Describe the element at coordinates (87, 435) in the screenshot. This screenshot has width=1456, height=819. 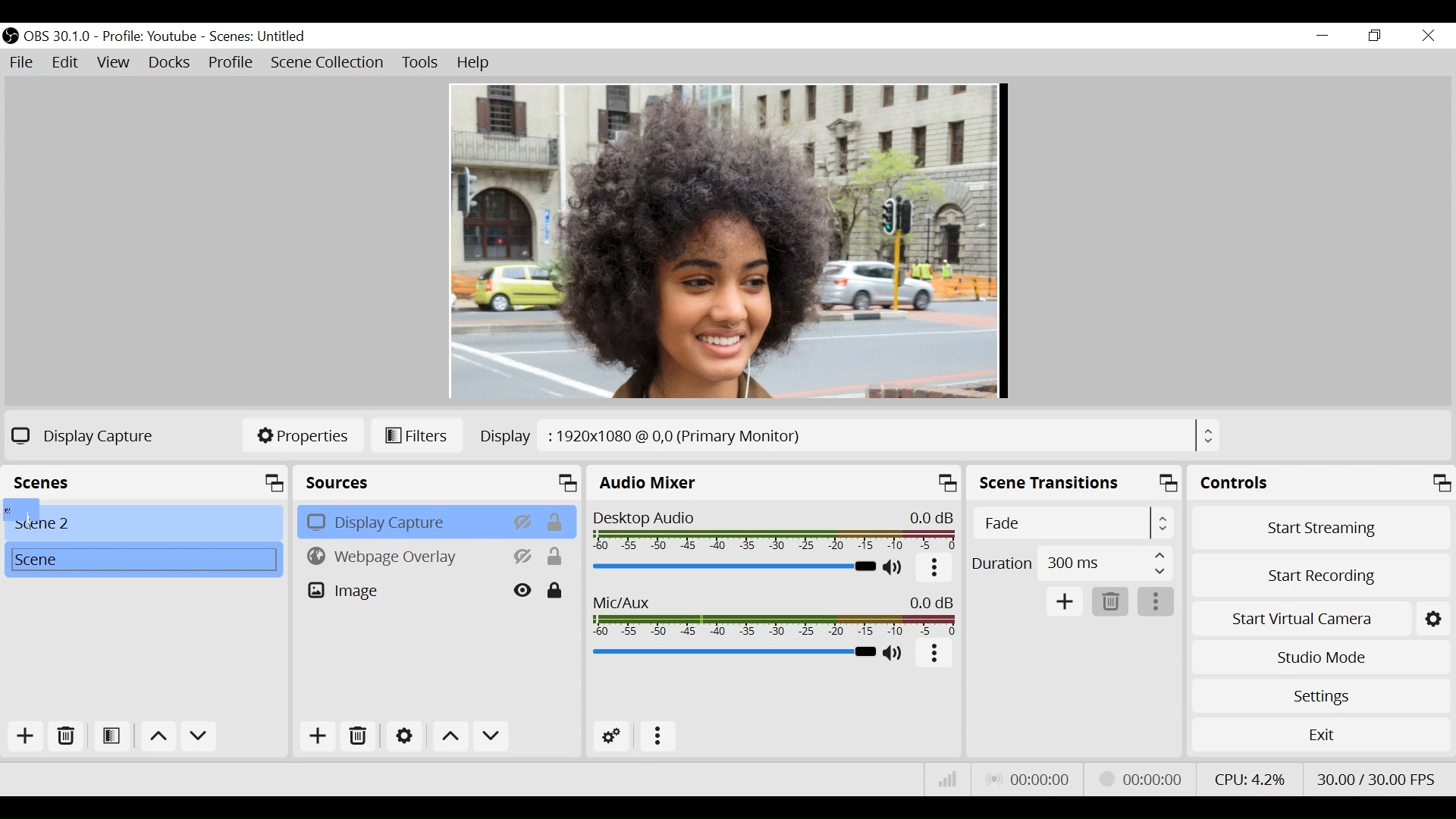
I see `Display Capture` at that location.